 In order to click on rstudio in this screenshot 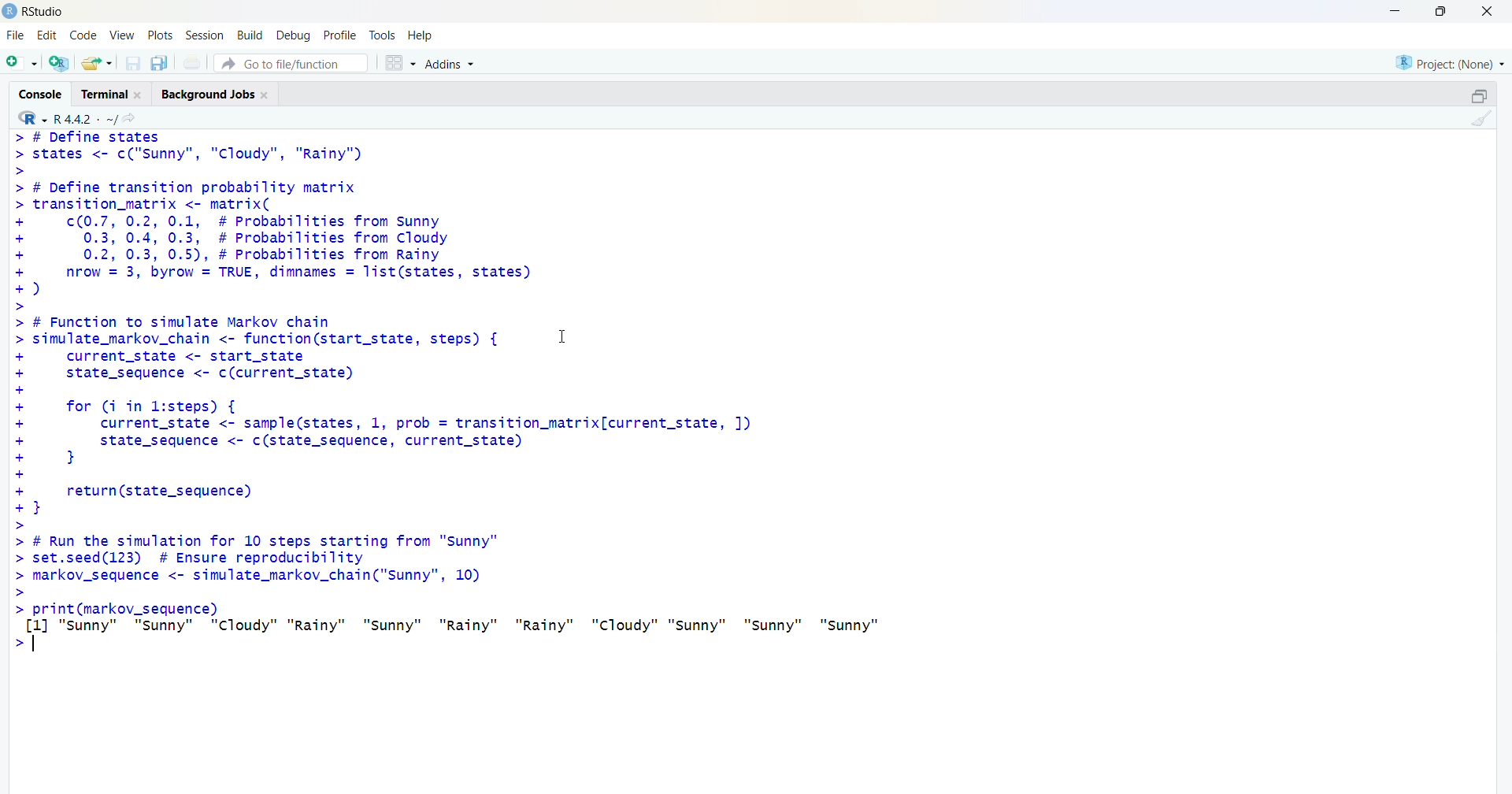, I will do `click(35, 11)`.